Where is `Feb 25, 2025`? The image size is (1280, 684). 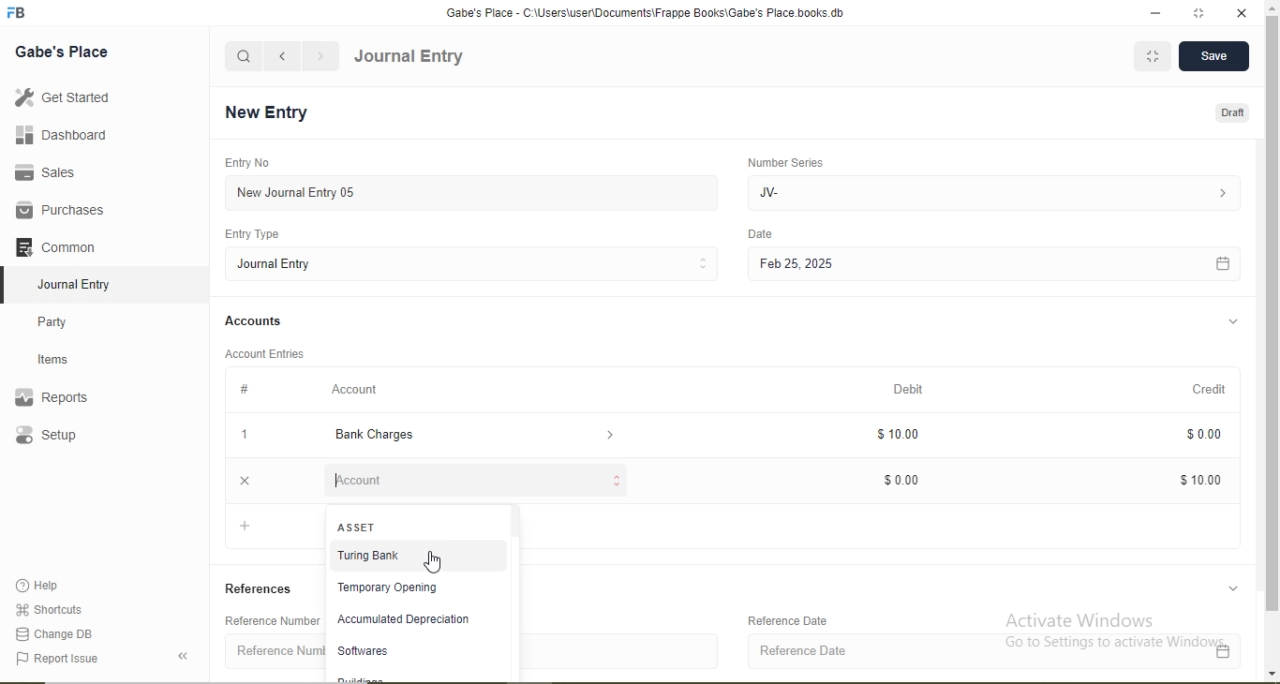 Feb 25, 2025 is located at coordinates (998, 265).